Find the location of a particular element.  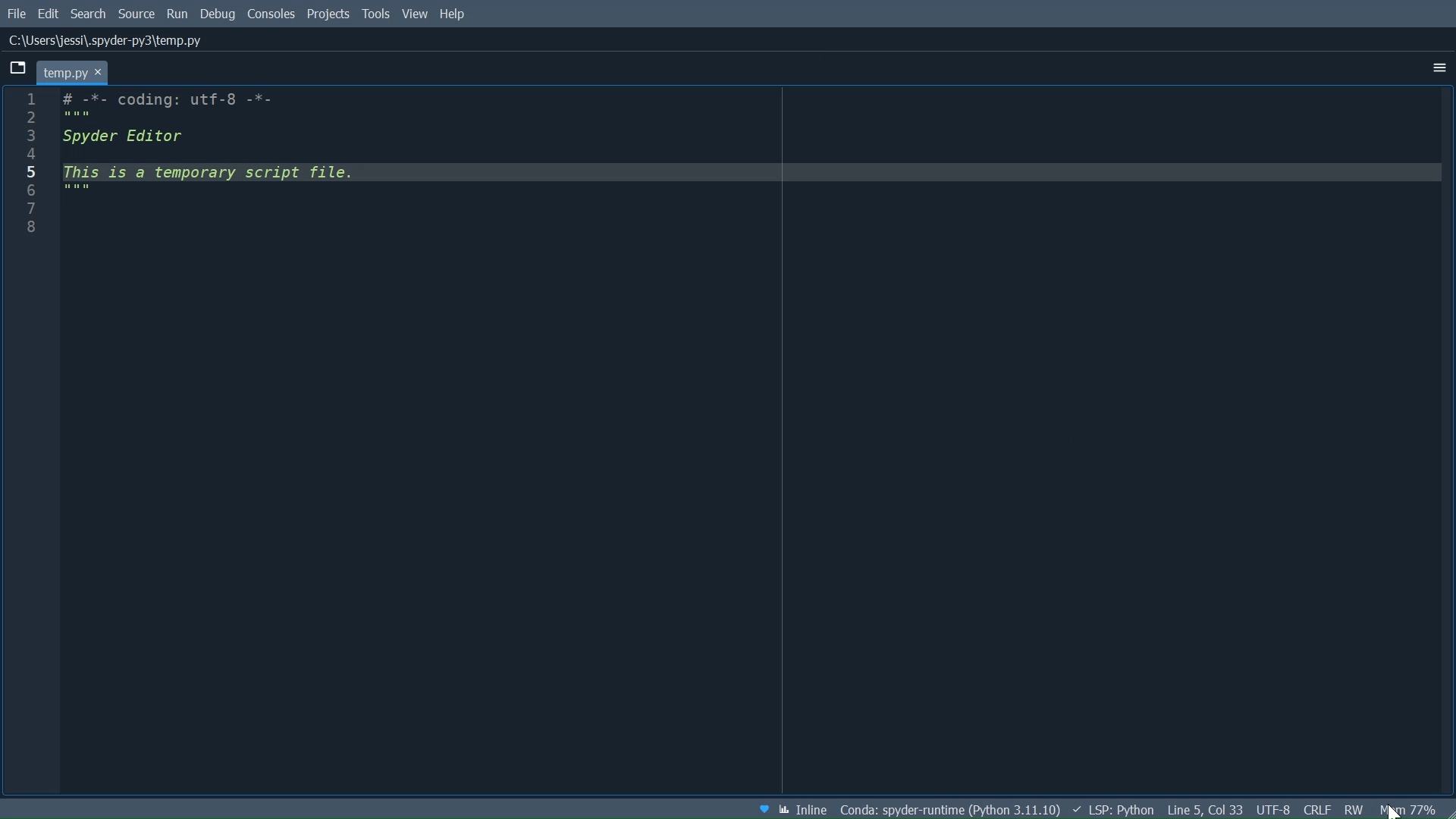

Cursor is located at coordinates (1391, 810).